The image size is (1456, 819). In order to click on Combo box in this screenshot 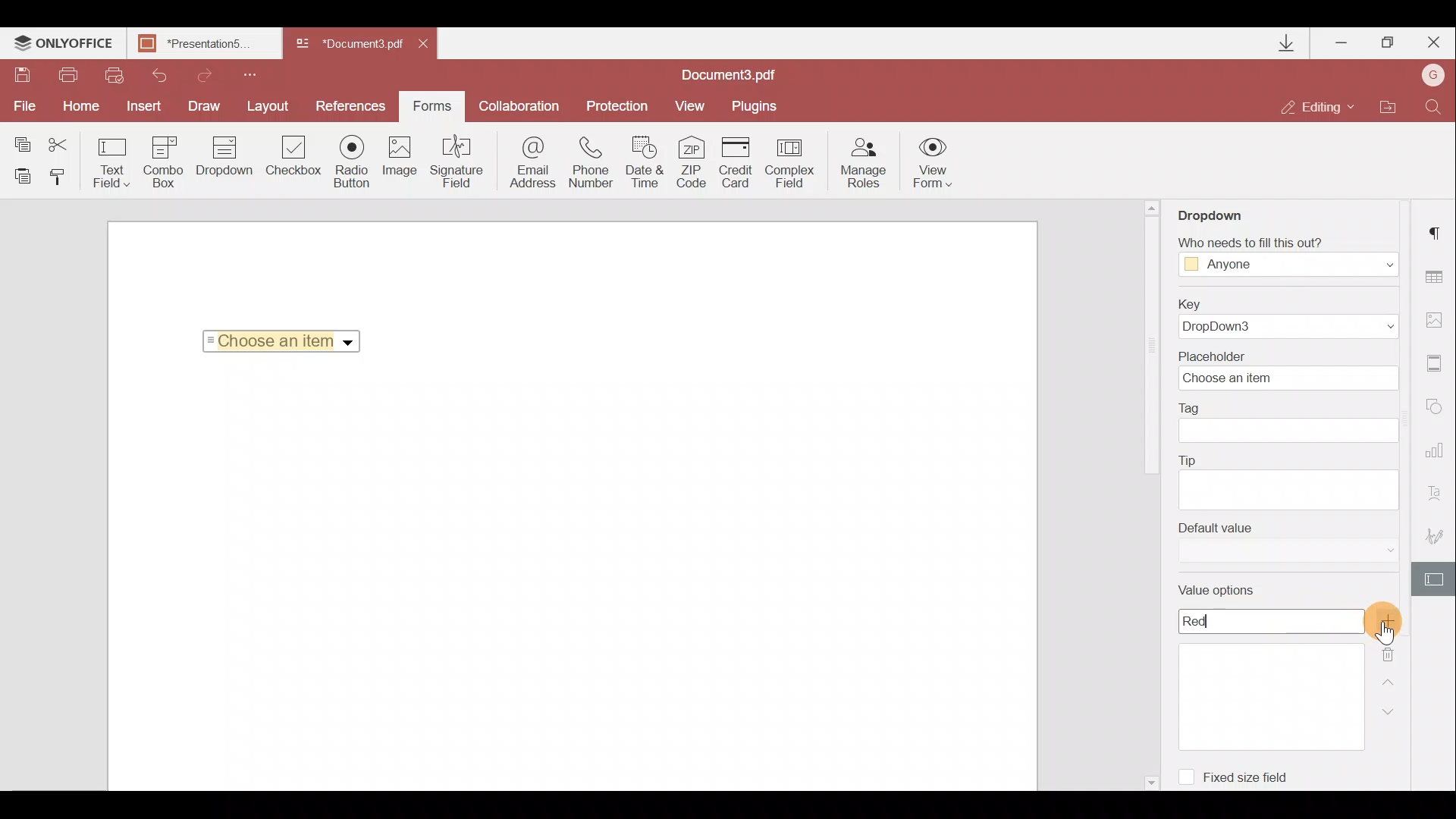, I will do `click(162, 162)`.